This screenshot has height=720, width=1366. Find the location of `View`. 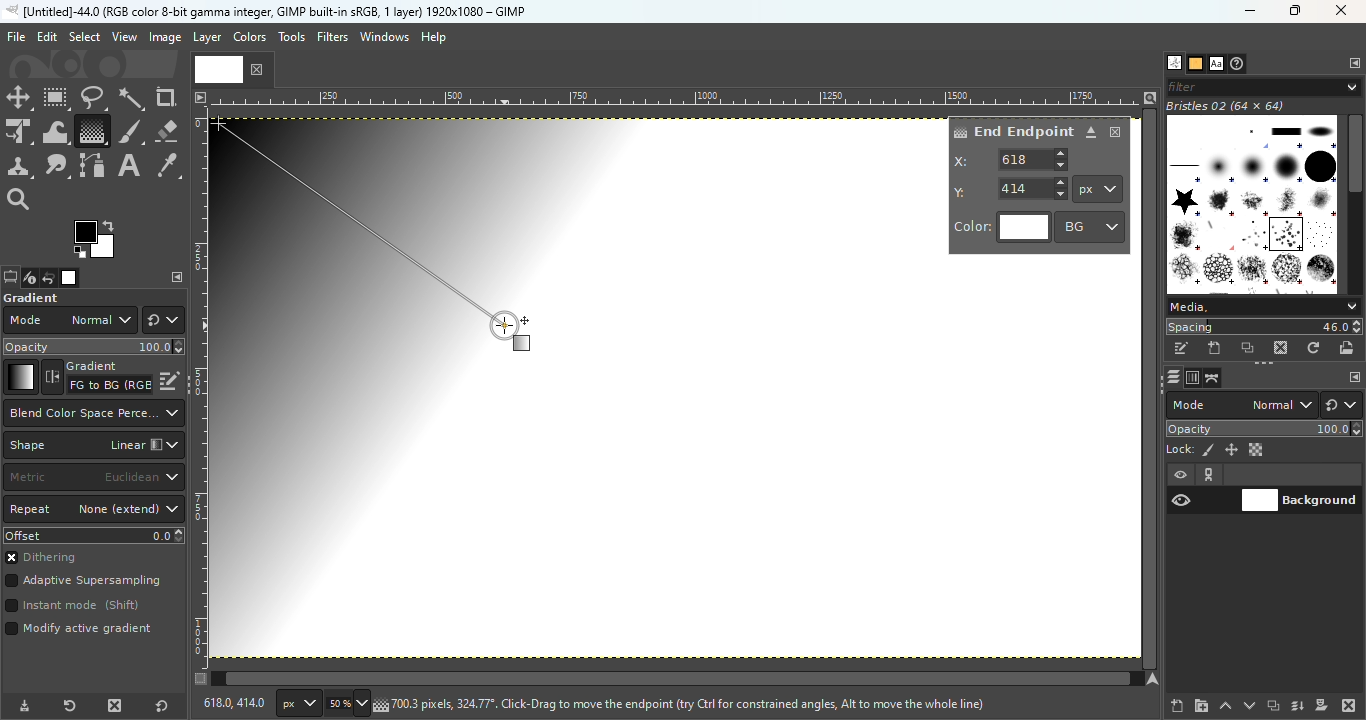

View is located at coordinates (125, 37).